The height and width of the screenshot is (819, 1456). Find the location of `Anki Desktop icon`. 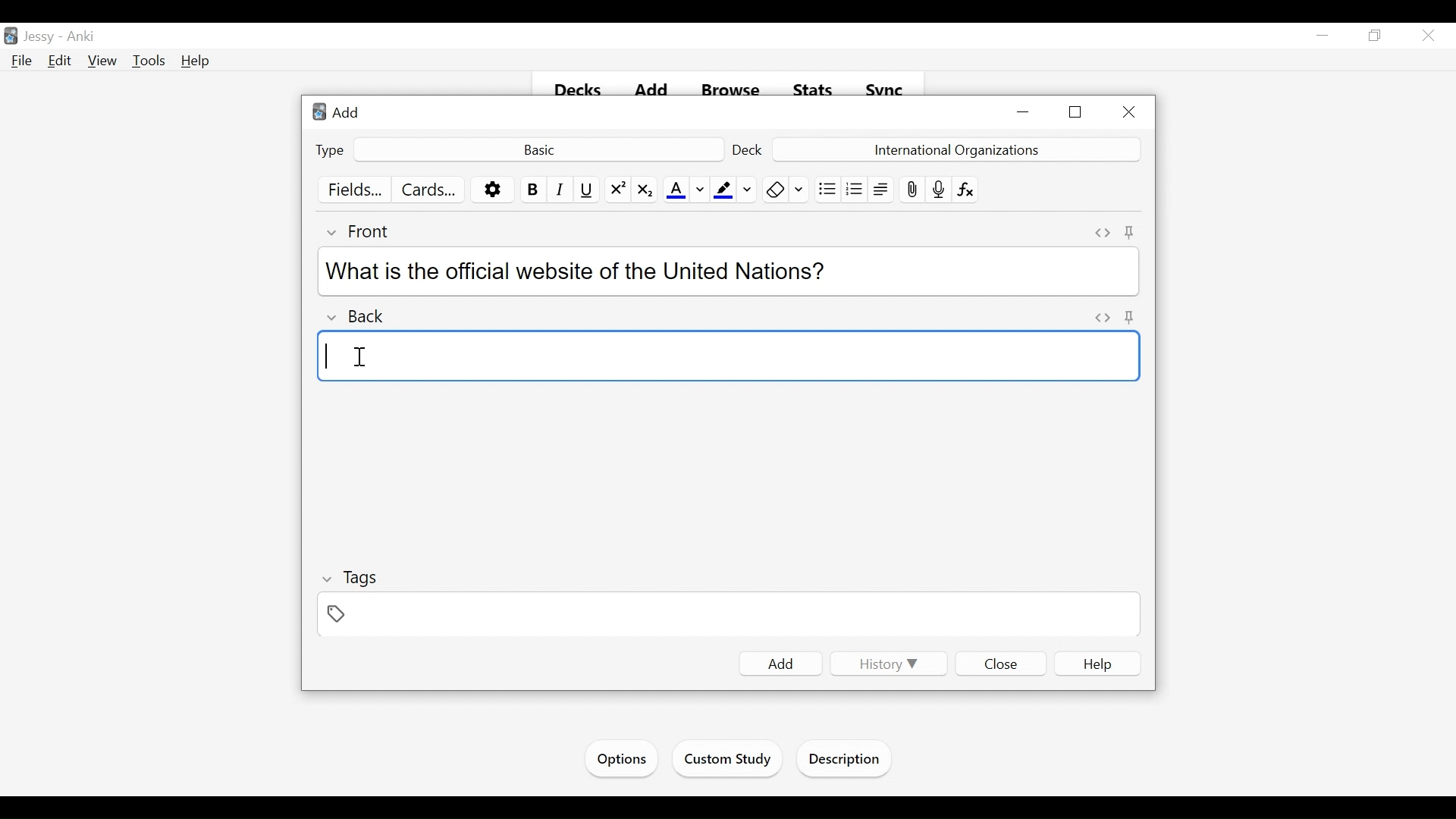

Anki Desktop icon is located at coordinates (11, 37).